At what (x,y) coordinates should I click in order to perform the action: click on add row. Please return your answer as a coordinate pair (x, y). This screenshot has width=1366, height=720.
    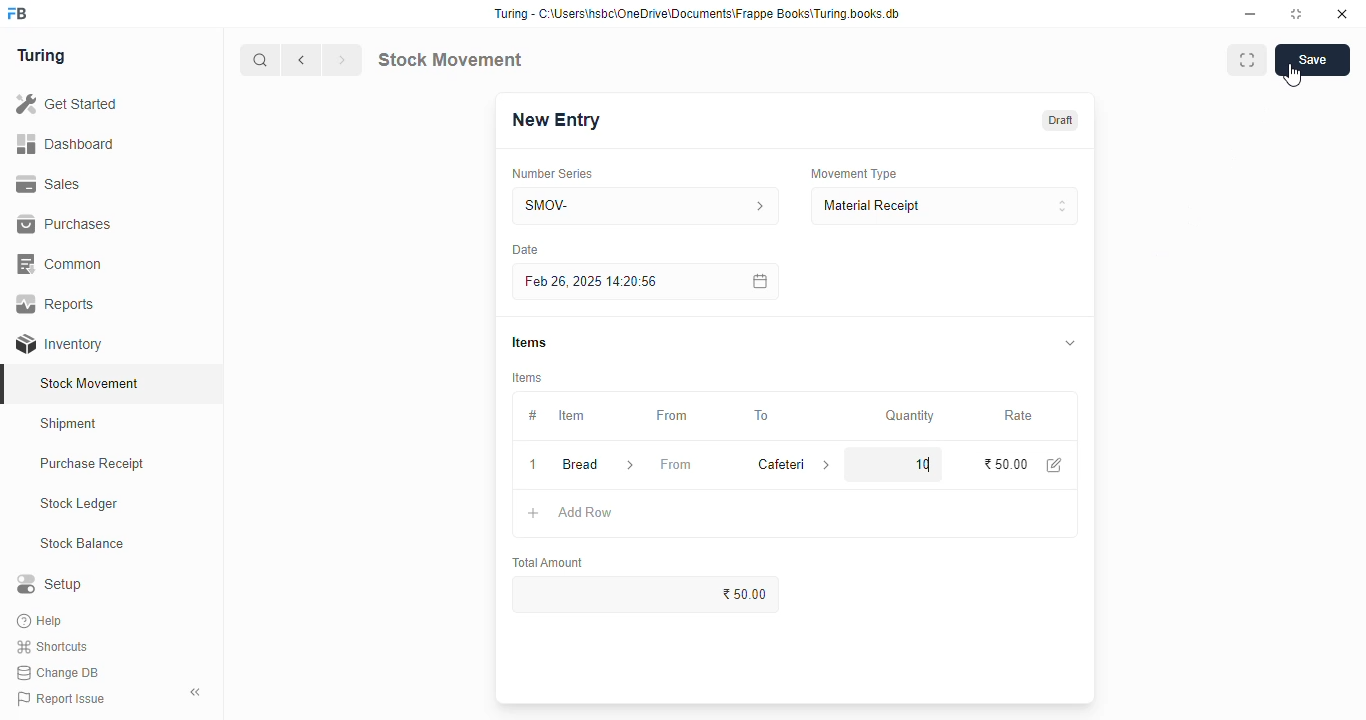
    Looking at the image, I should click on (586, 512).